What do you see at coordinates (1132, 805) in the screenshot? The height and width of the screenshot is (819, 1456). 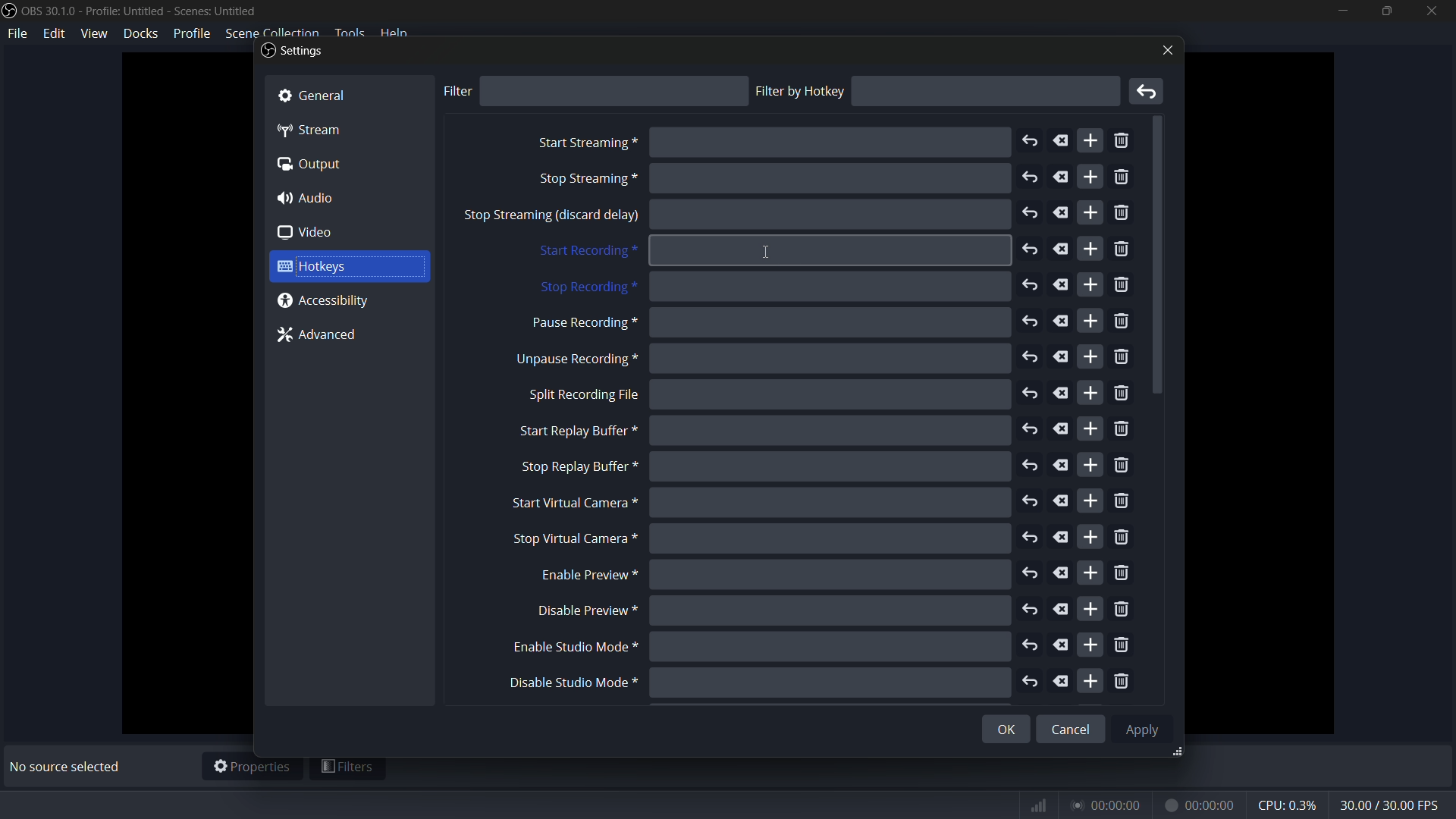 I see `timer` at bounding box center [1132, 805].